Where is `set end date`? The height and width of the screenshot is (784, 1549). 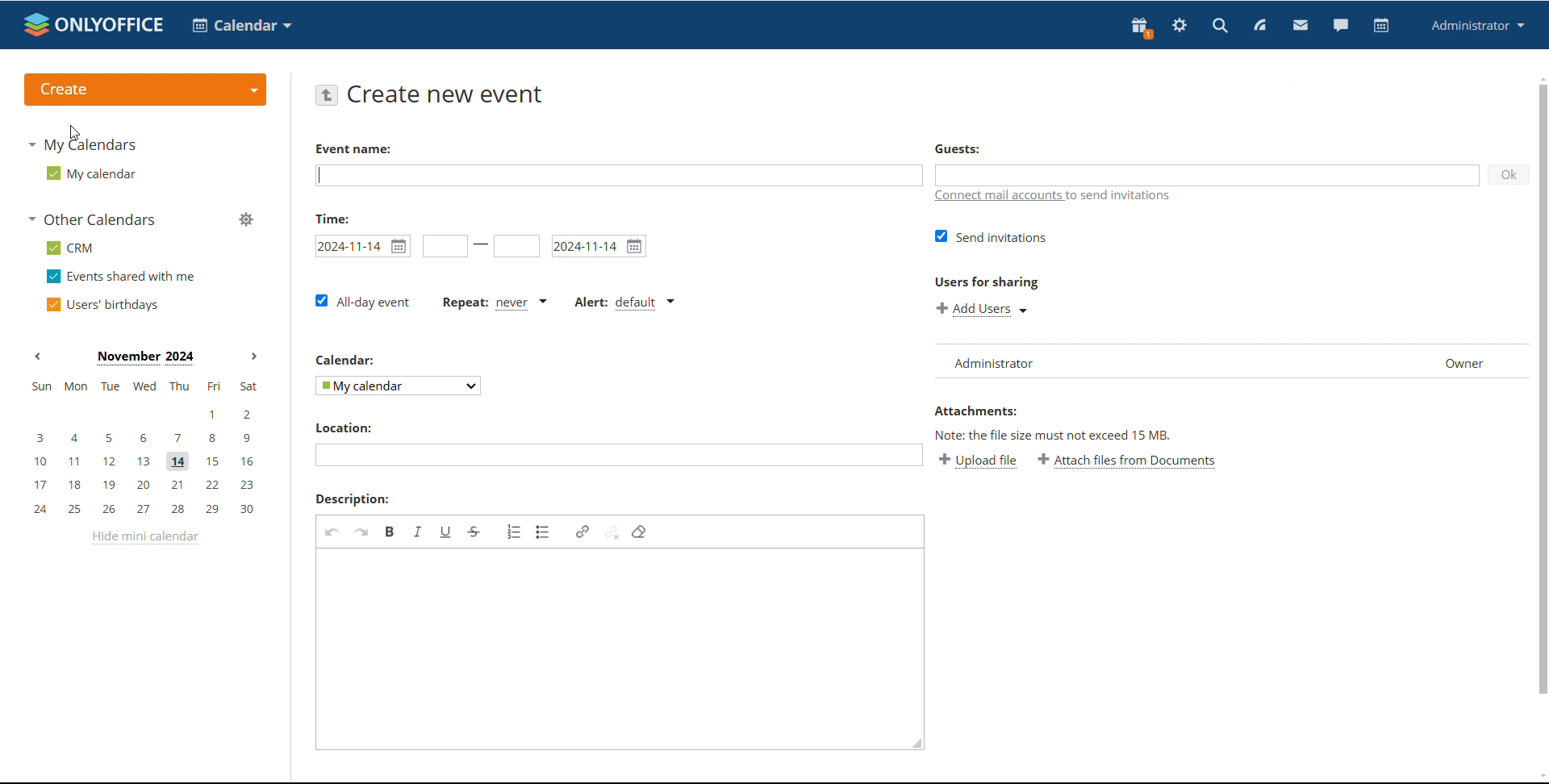 set end date is located at coordinates (599, 246).